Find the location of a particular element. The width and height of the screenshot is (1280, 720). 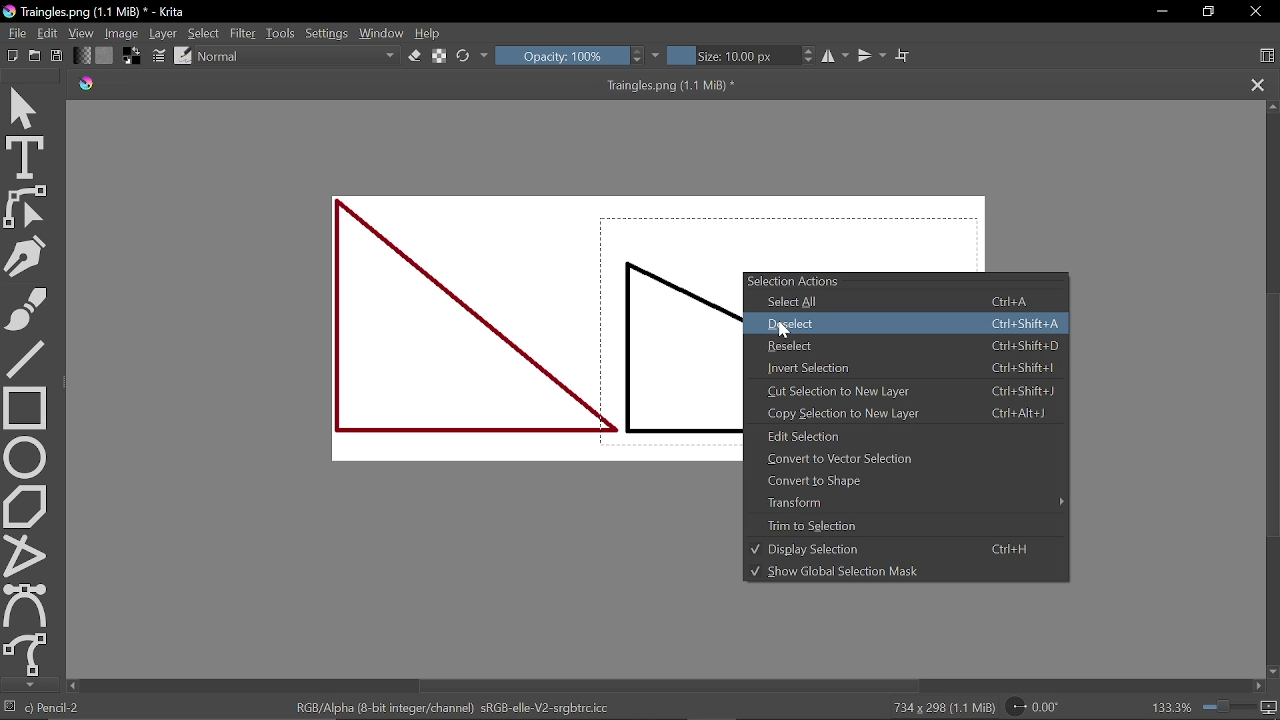

Wrap around tool is located at coordinates (902, 56).